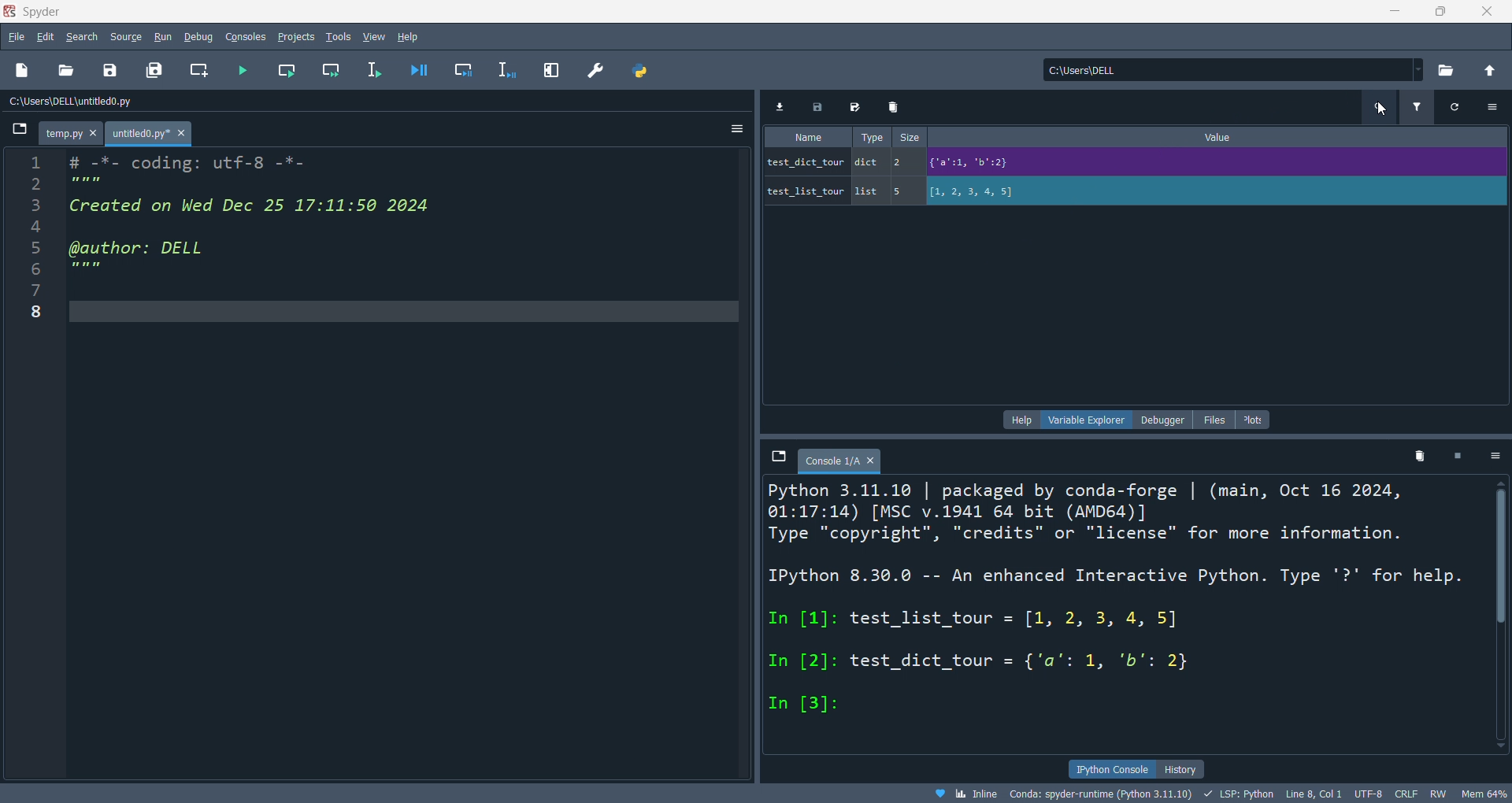 Image resolution: width=1512 pixels, height=803 pixels. What do you see at coordinates (1160, 420) in the screenshot?
I see `debugger` at bounding box center [1160, 420].